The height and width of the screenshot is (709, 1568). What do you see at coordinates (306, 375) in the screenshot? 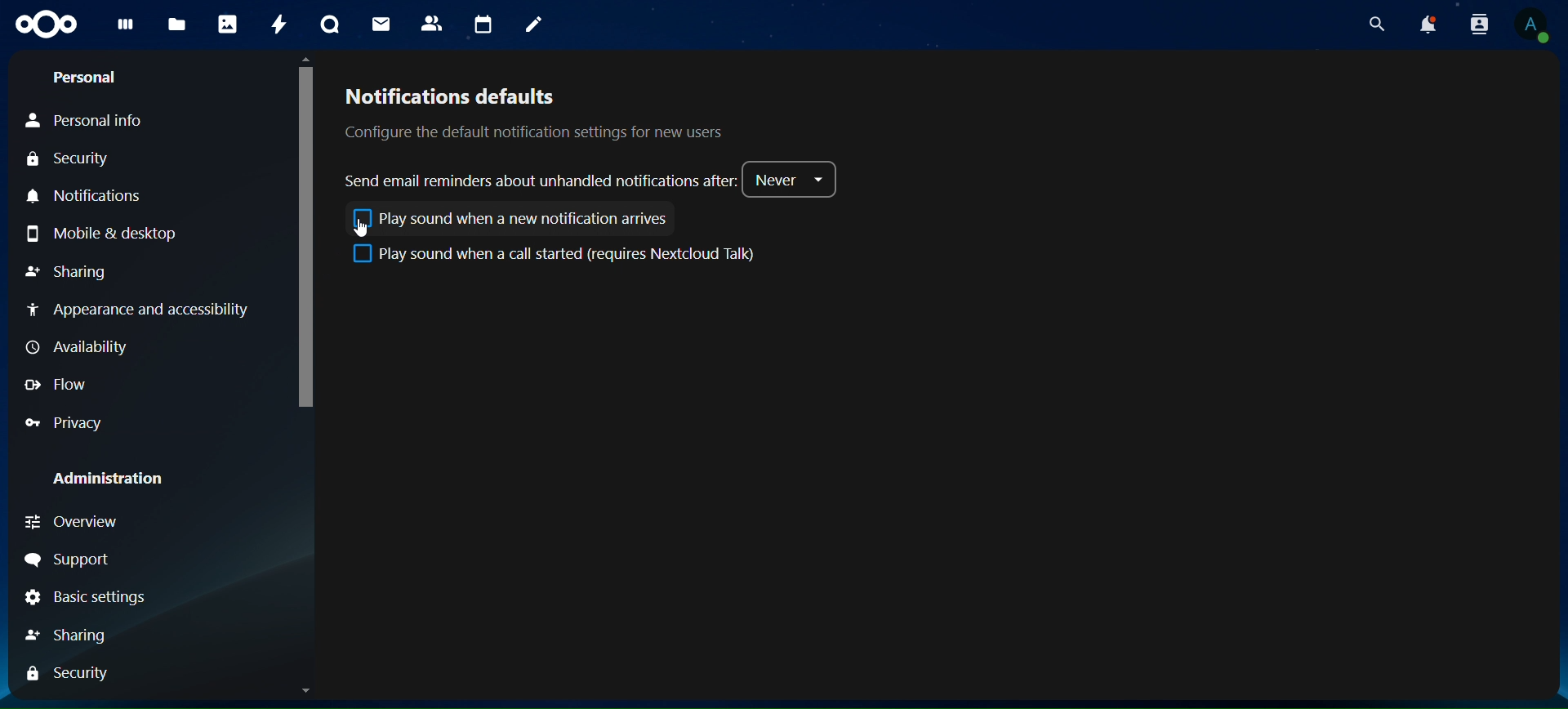
I see `Scrollbar` at bounding box center [306, 375].